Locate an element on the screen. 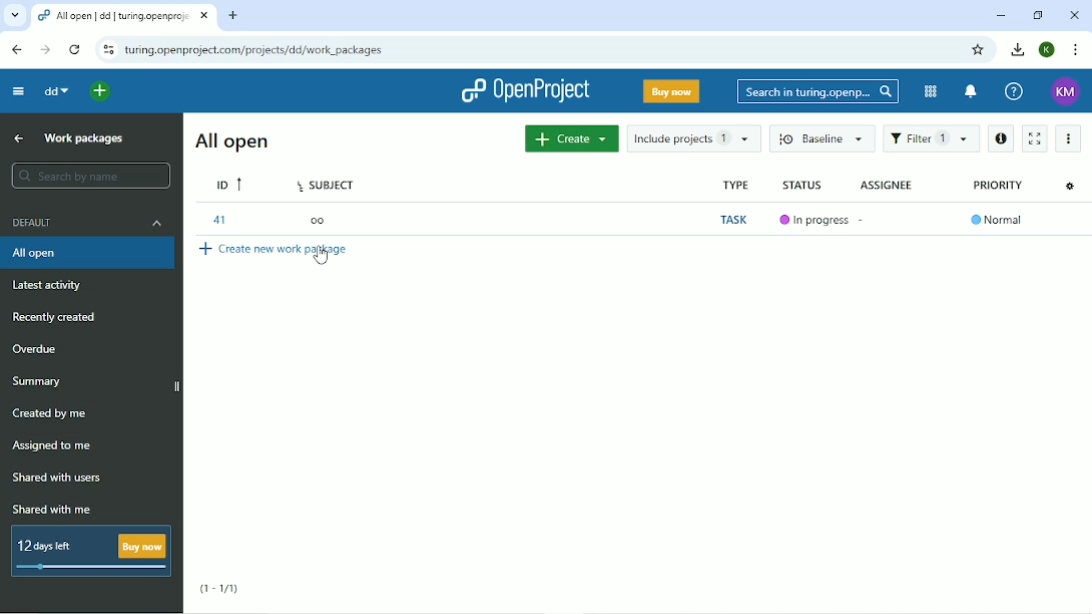 This screenshot has height=614, width=1092. Assignee is located at coordinates (887, 183).